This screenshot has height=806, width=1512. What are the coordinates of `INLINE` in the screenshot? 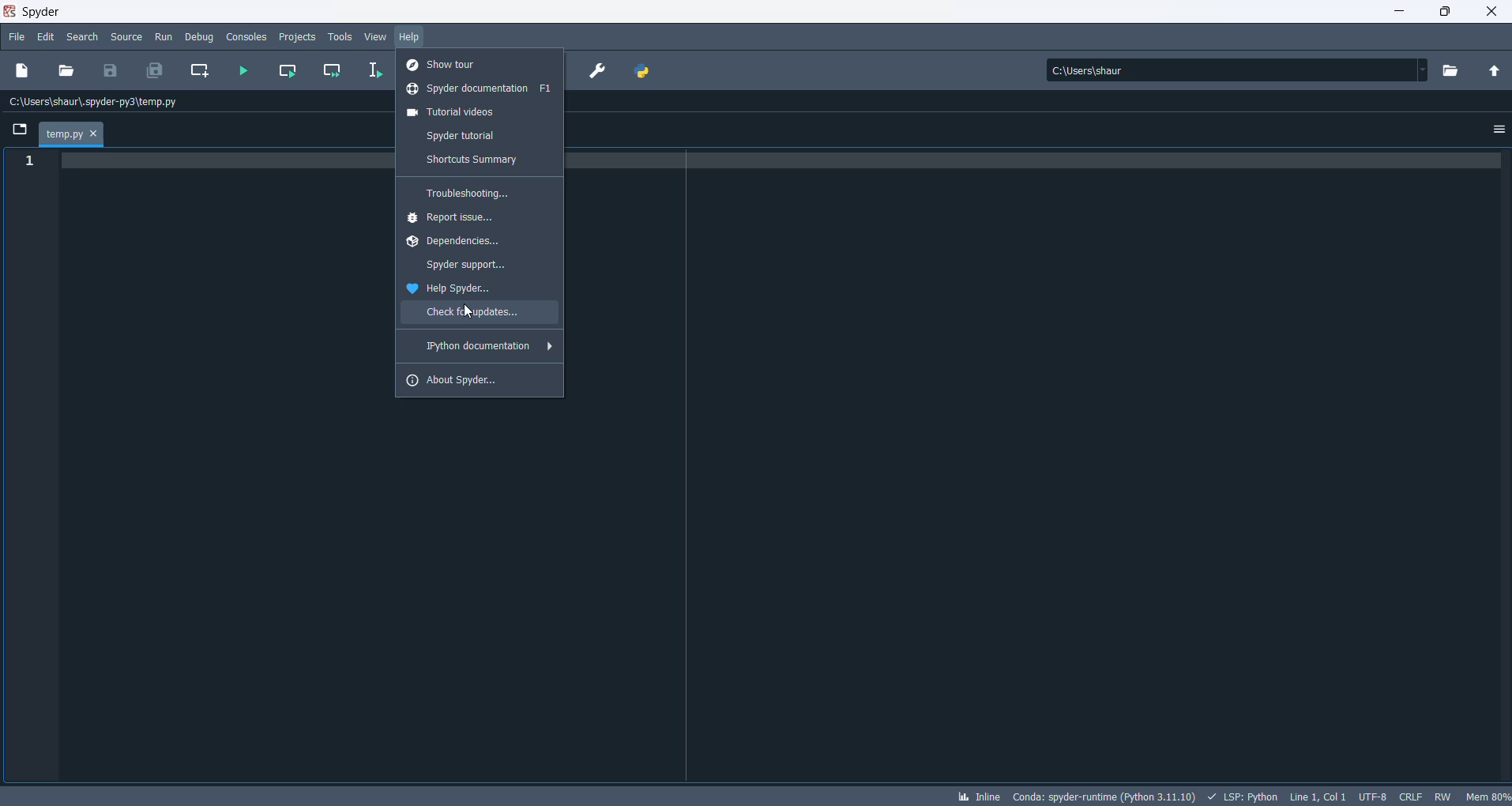 It's located at (976, 794).